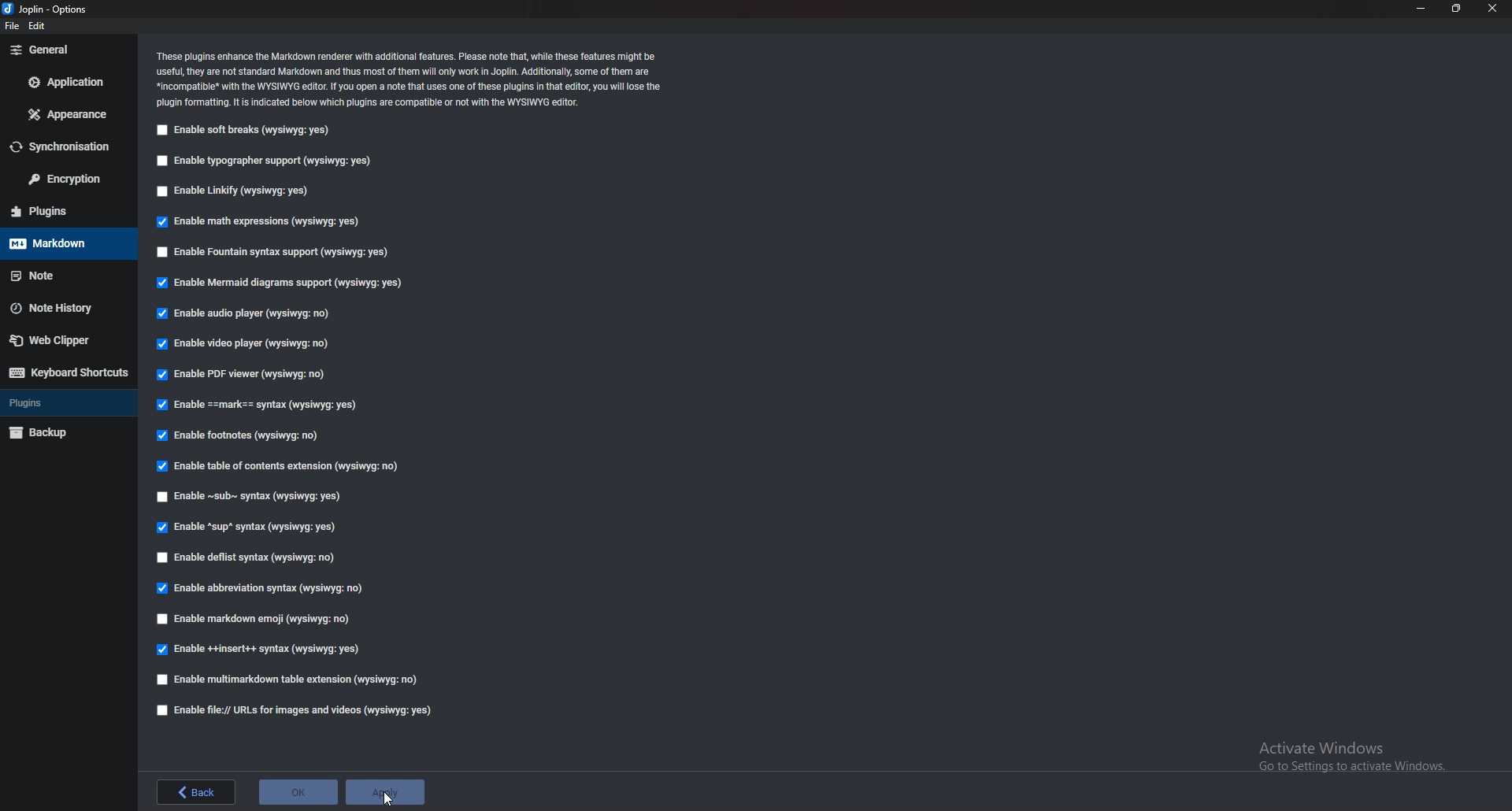 The width and height of the screenshot is (1512, 811). I want to click on options, so click(51, 8).